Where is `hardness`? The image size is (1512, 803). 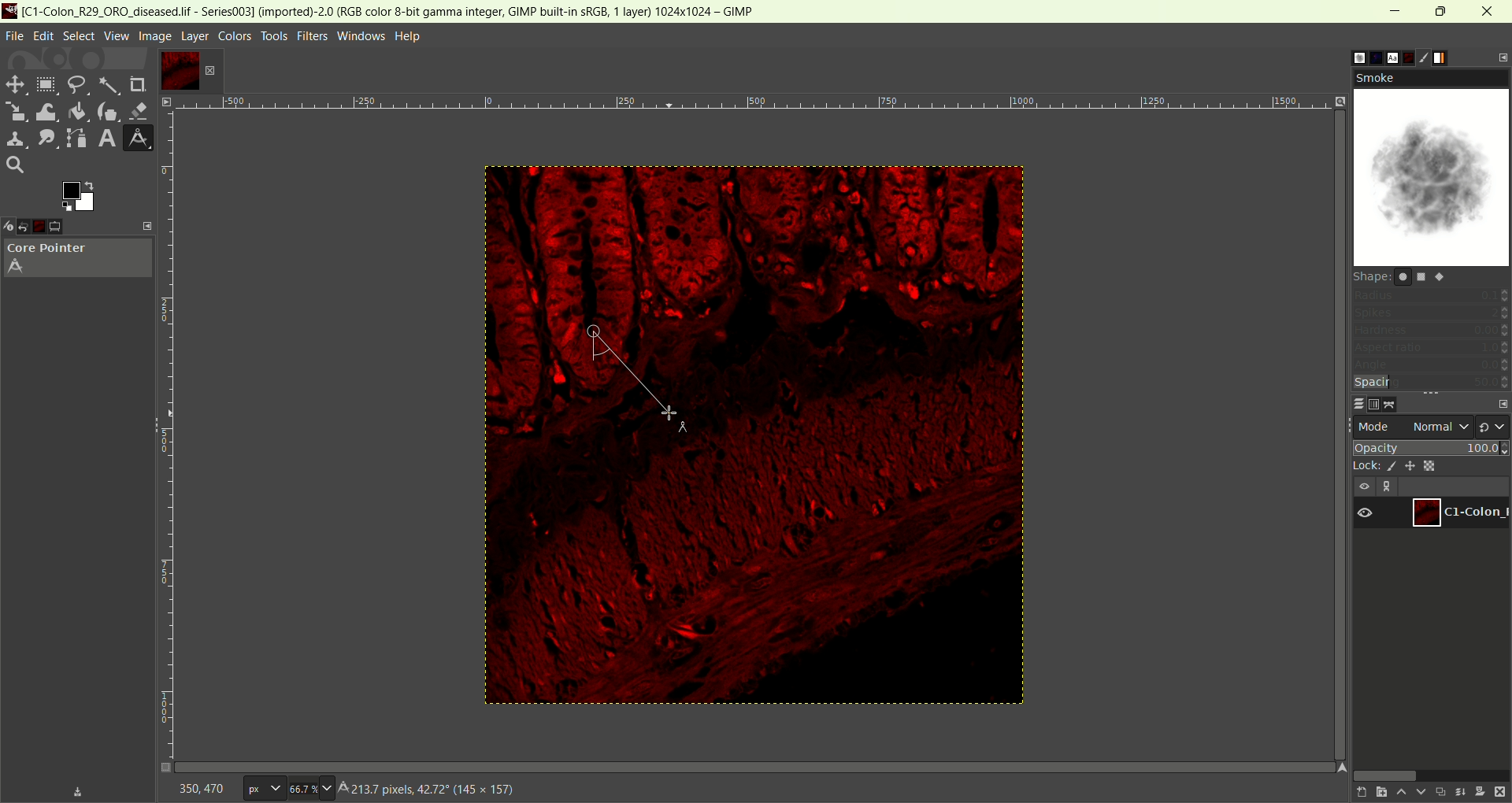
hardness is located at coordinates (1431, 331).